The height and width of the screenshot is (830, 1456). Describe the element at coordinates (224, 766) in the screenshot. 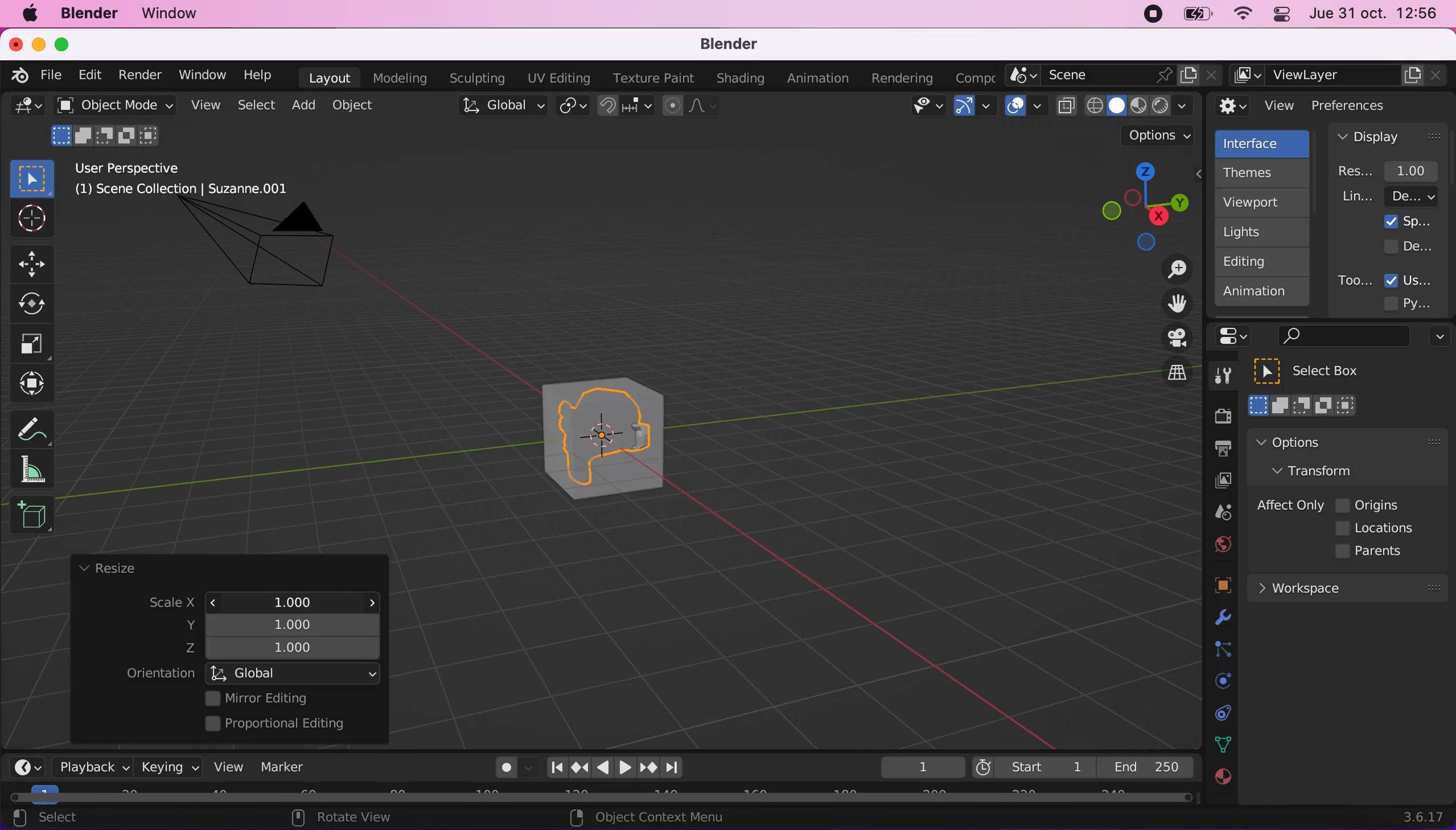

I see `view` at that location.